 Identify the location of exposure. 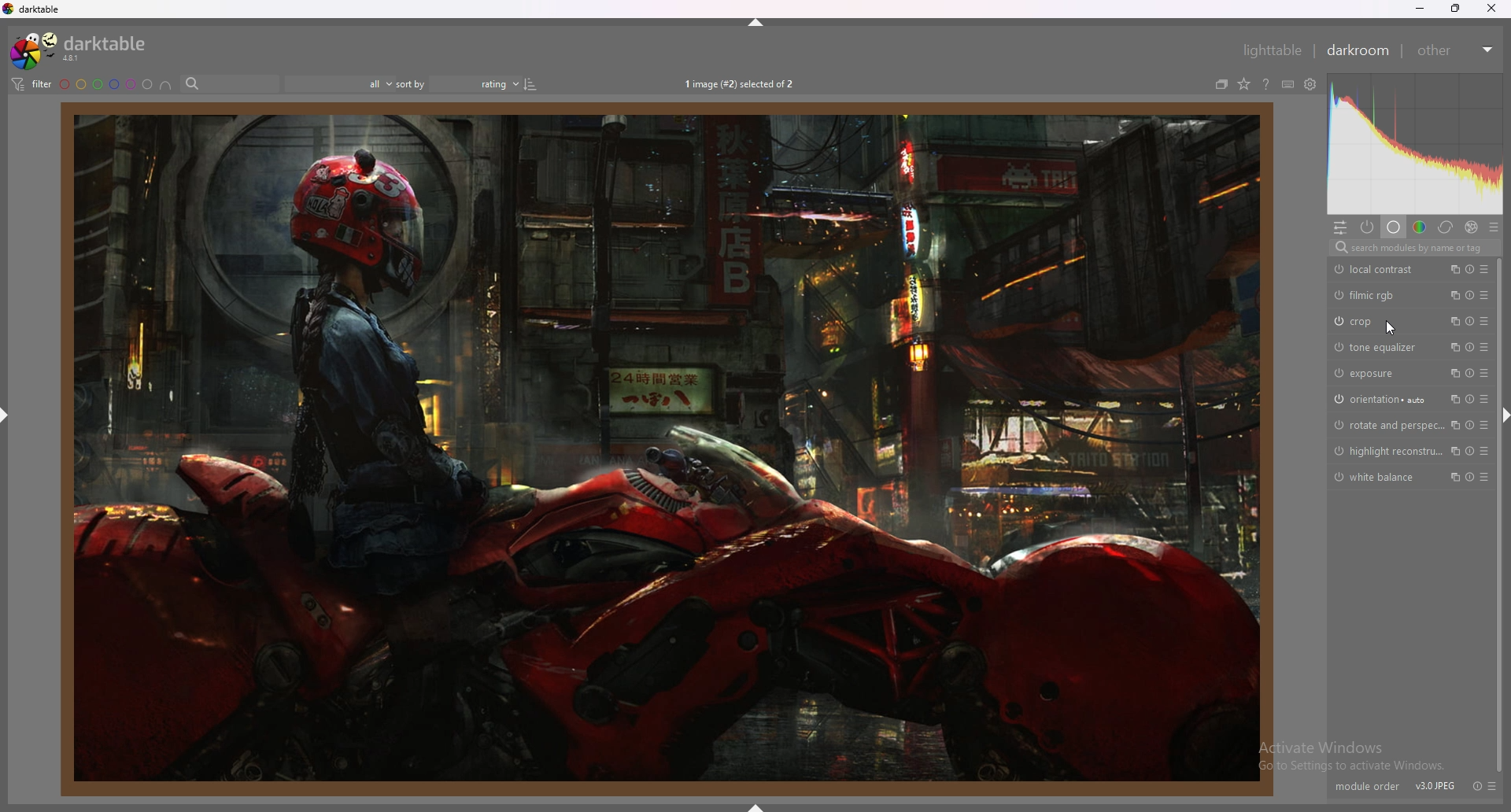
(1380, 374).